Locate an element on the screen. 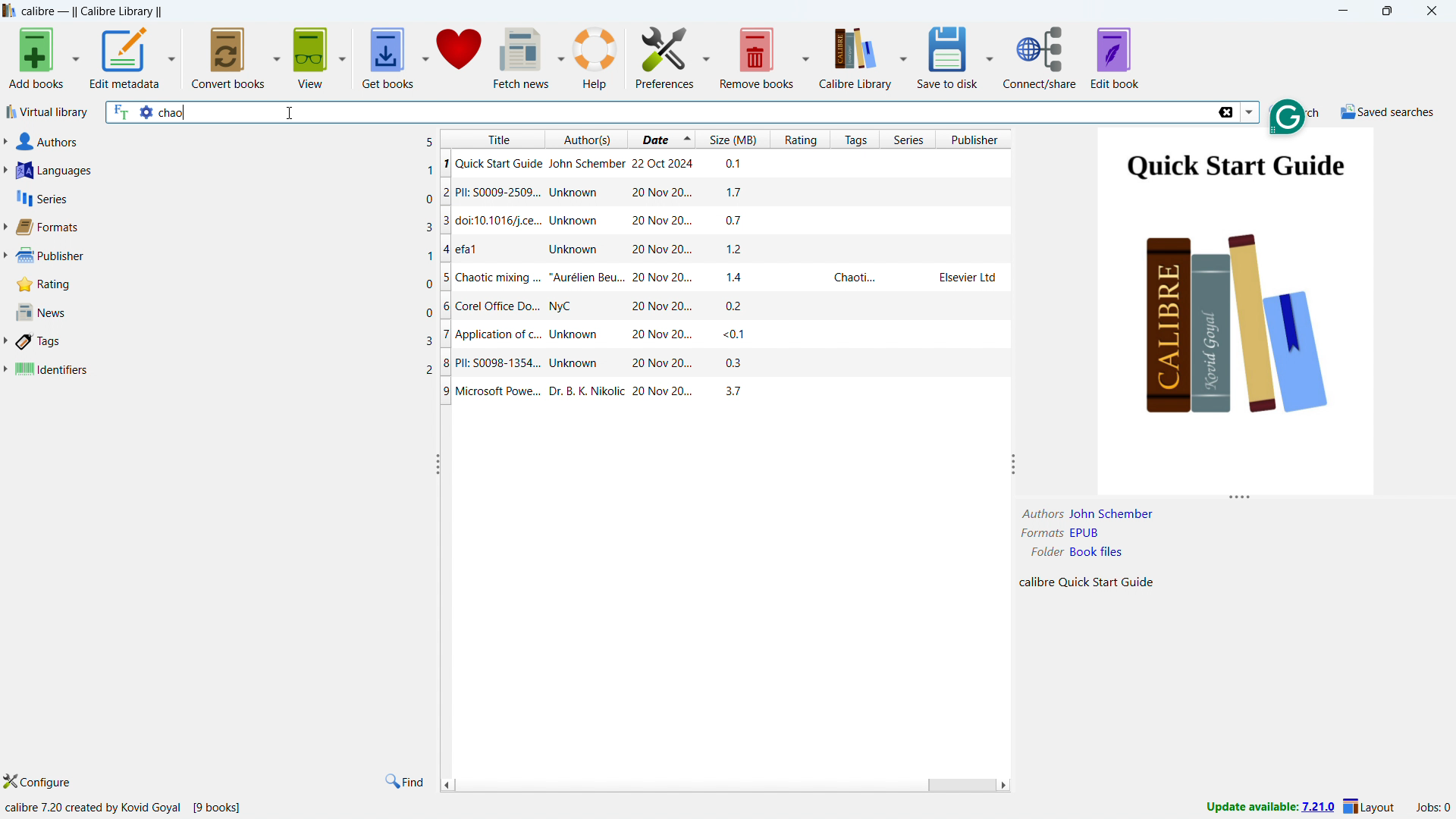 This screenshot has height=819, width=1456. formats is located at coordinates (224, 227).